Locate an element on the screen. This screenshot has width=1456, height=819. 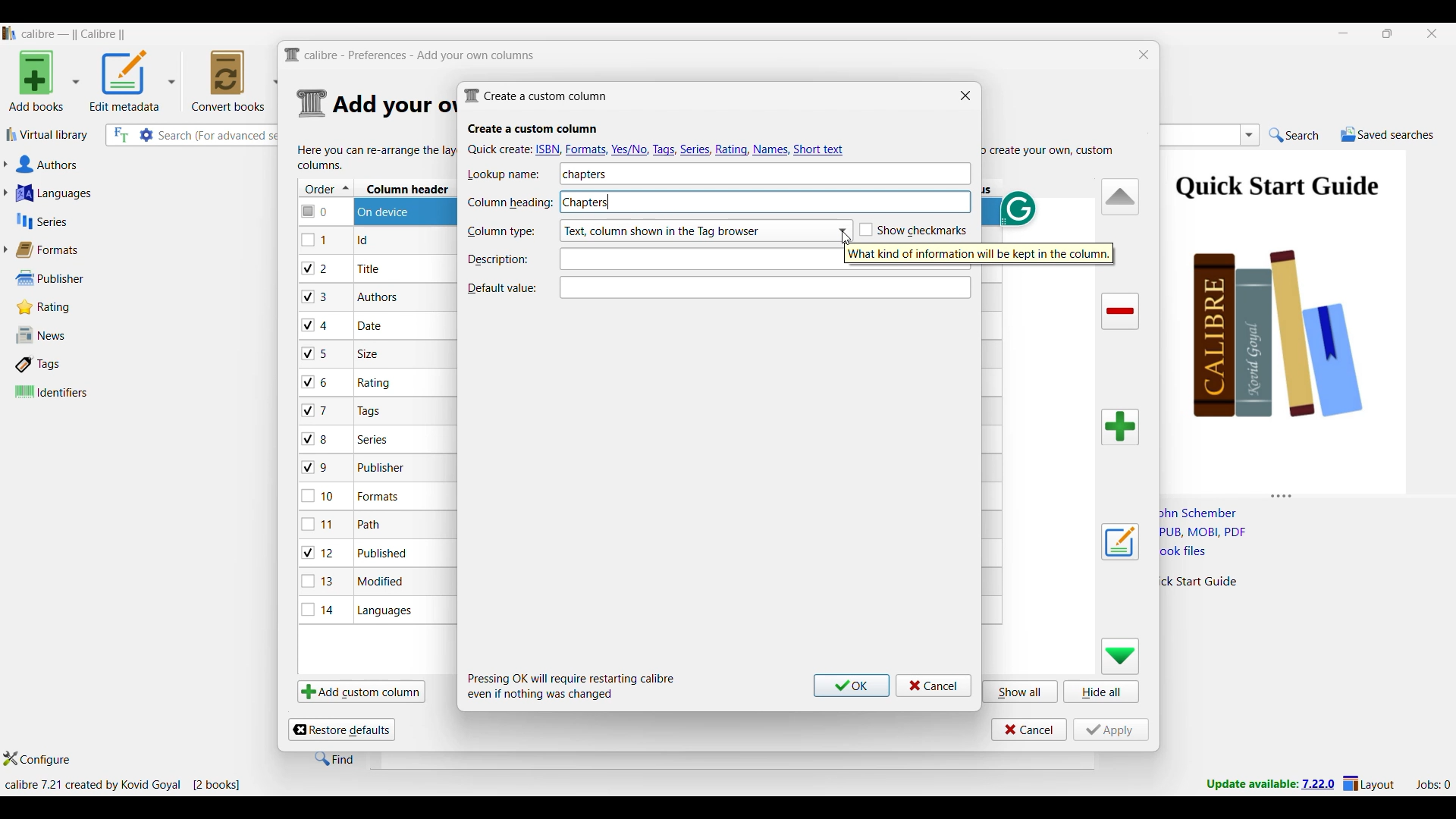
Current details of software is located at coordinates (122, 785).